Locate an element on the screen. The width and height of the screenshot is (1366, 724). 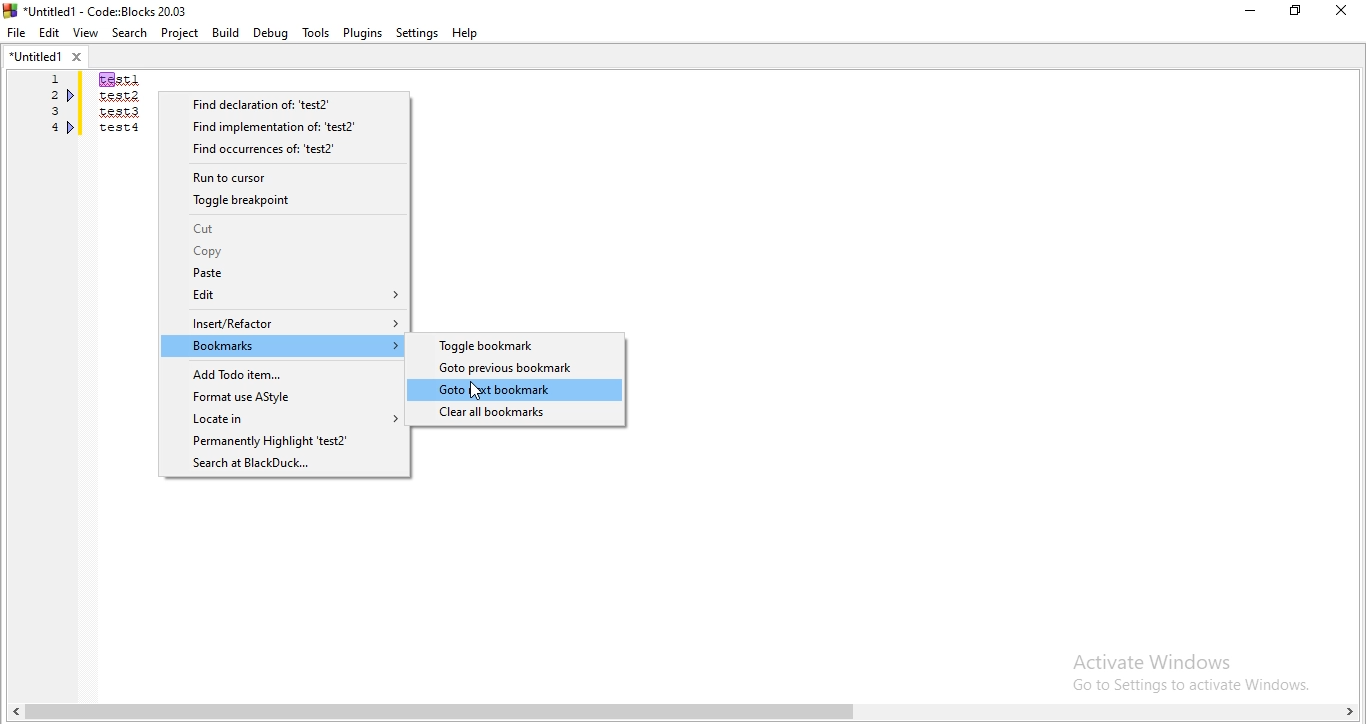
Project  is located at coordinates (181, 34).